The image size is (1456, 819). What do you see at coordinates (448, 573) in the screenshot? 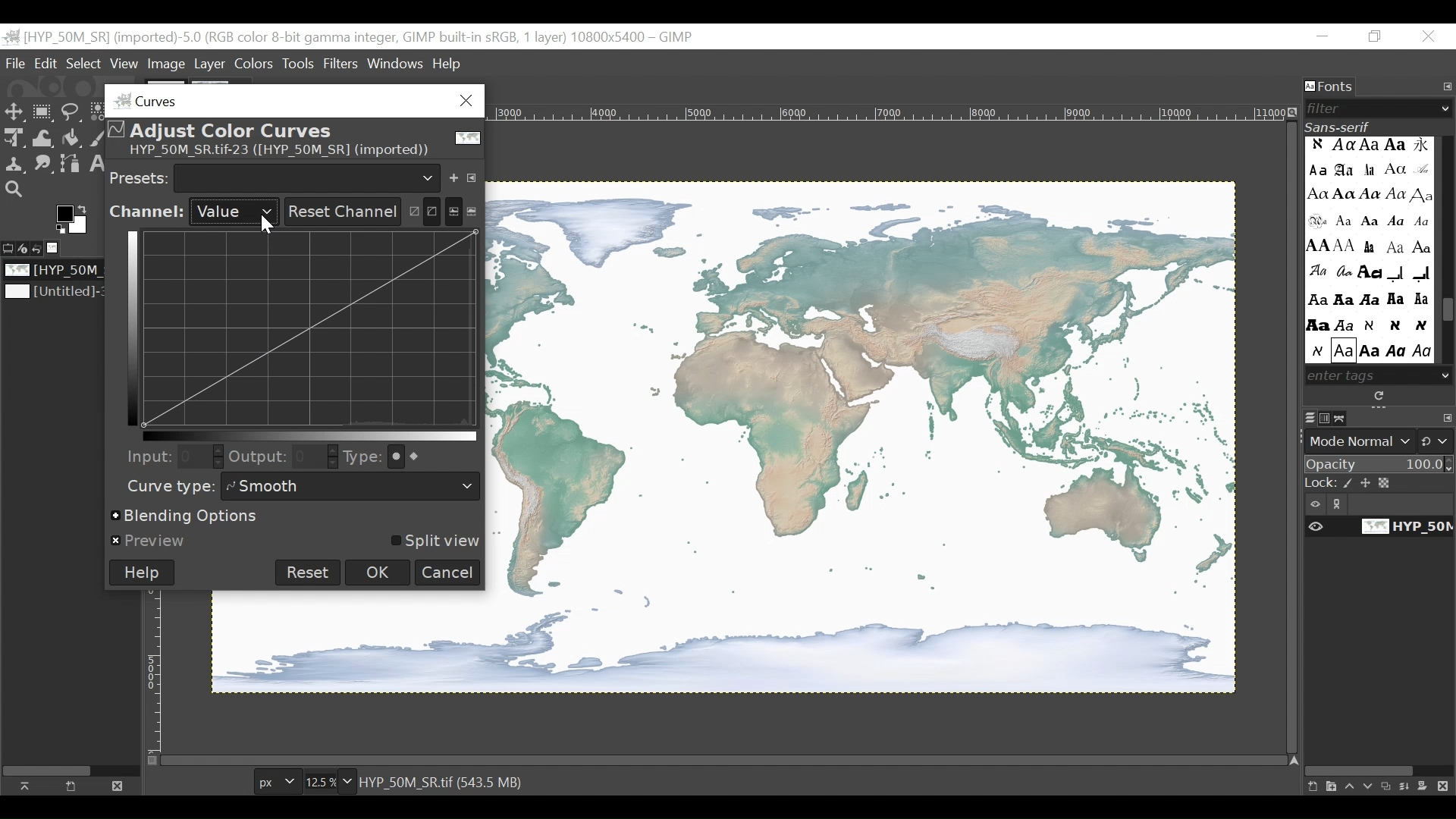
I see `Cancel` at bounding box center [448, 573].